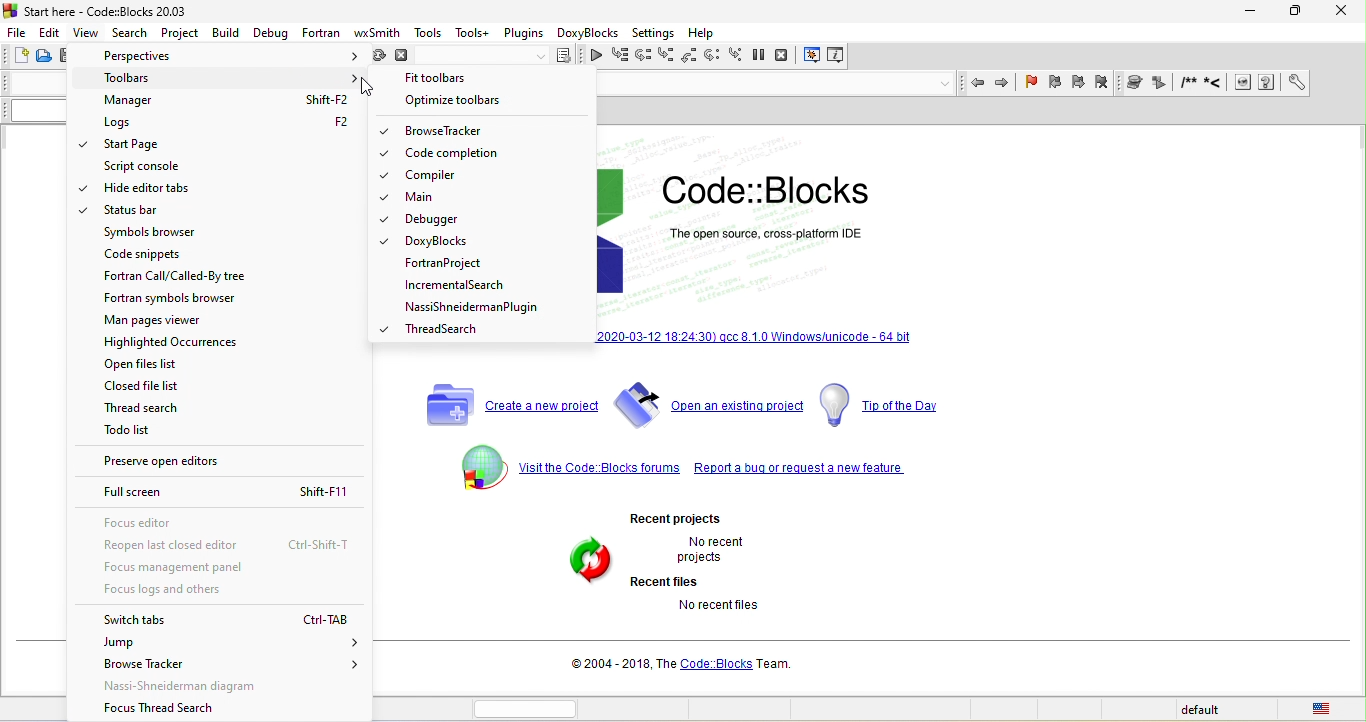 The height and width of the screenshot is (722, 1366). What do you see at coordinates (473, 308) in the screenshot?
I see `nassishneideman plugin` at bounding box center [473, 308].